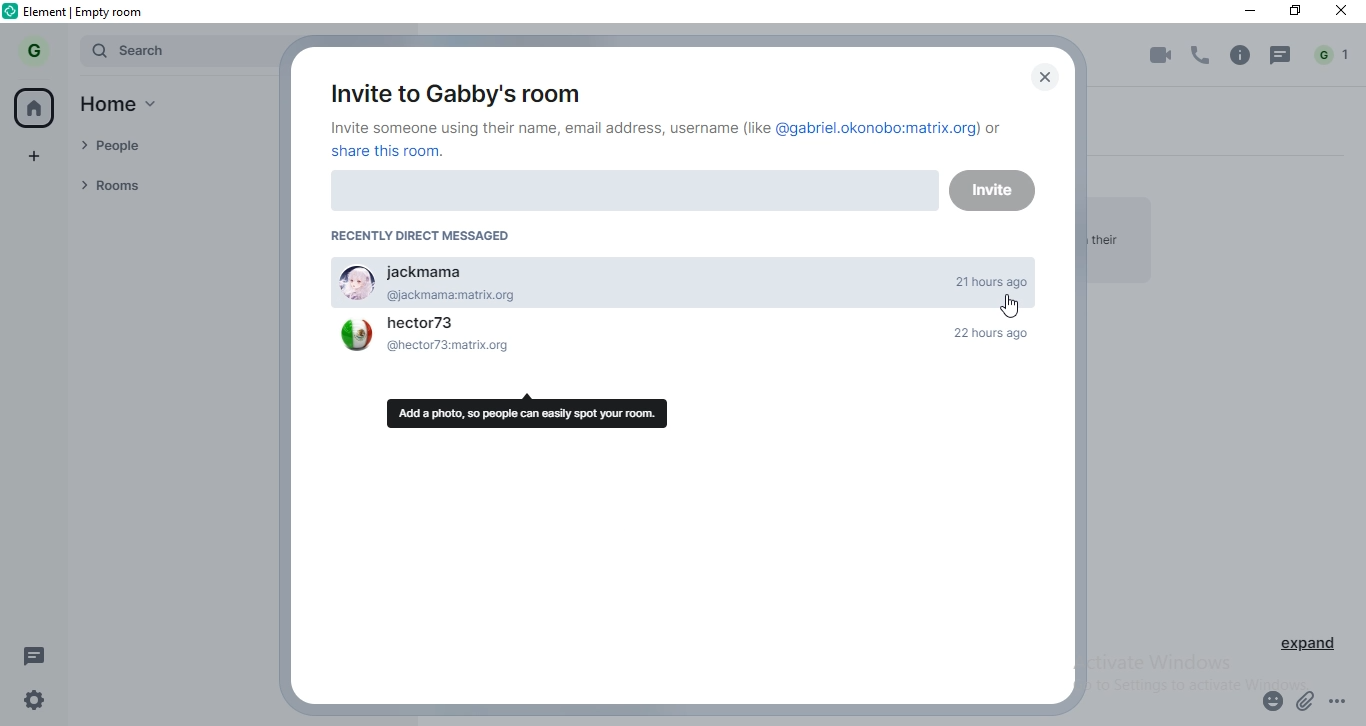 Image resolution: width=1366 pixels, height=726 pixels. What do you see at coordinates (1334, 55) in the screenshot?
I see `notification` at bounding box center [1334, 55].